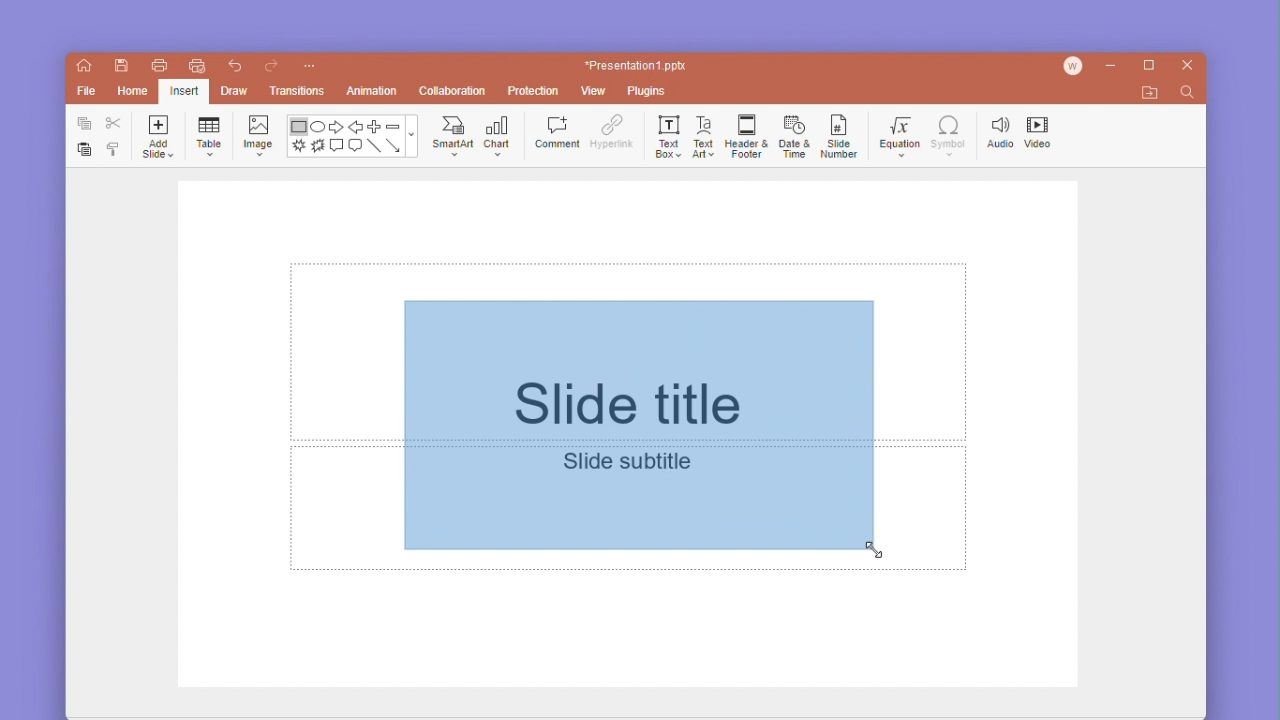 This screenshot has height=720, width=1280. What do you see at coordinates (1149, 93) in the screenshot?
I see `open file location` at bounding box center [1149, 93].